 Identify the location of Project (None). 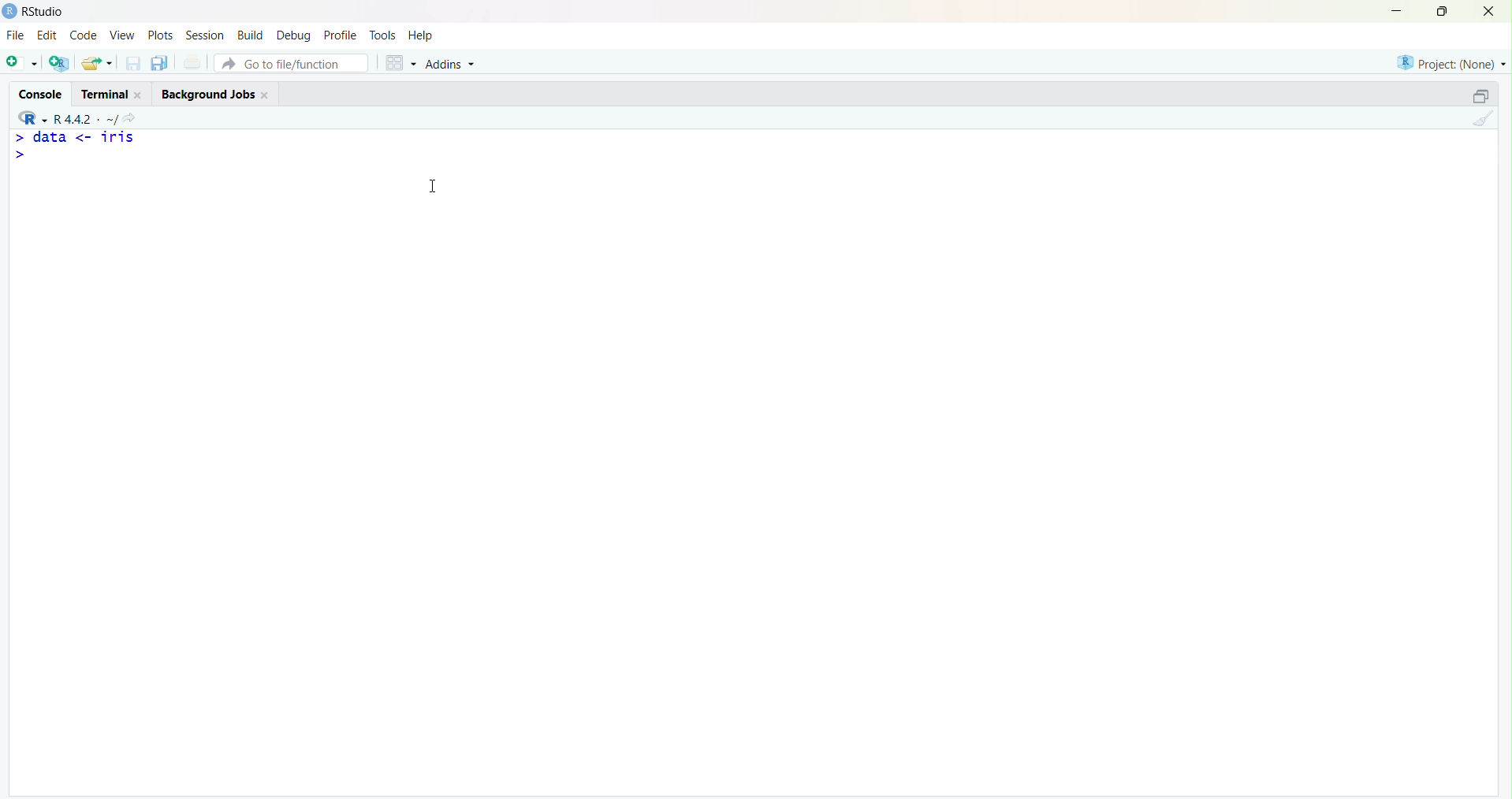
(1450, 62).